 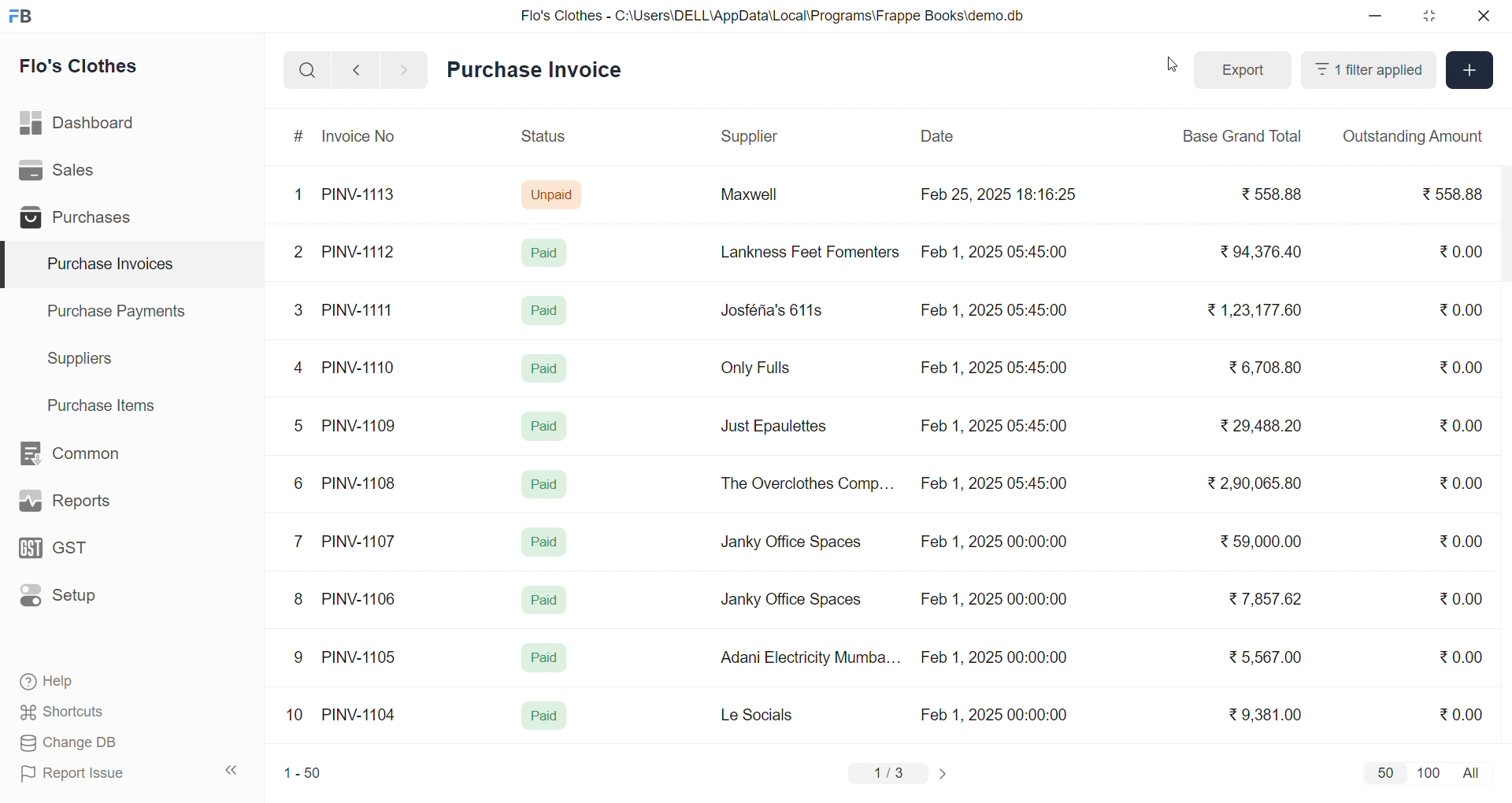 I want to click on Feb 1, 2025 00:00:00, so click(x=994, y=657).